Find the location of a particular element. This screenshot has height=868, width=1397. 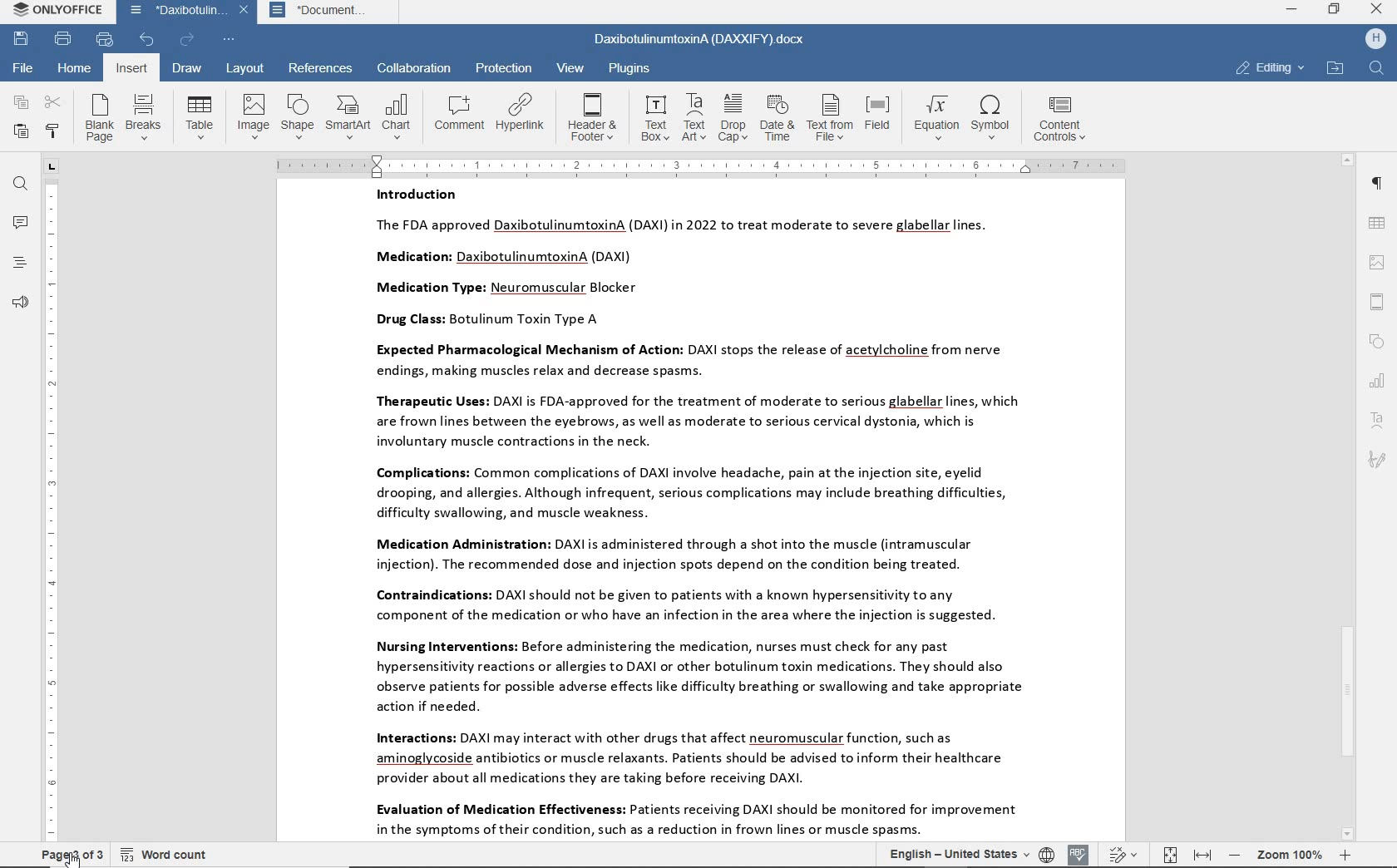

undo is located at coordinates (148, 41).